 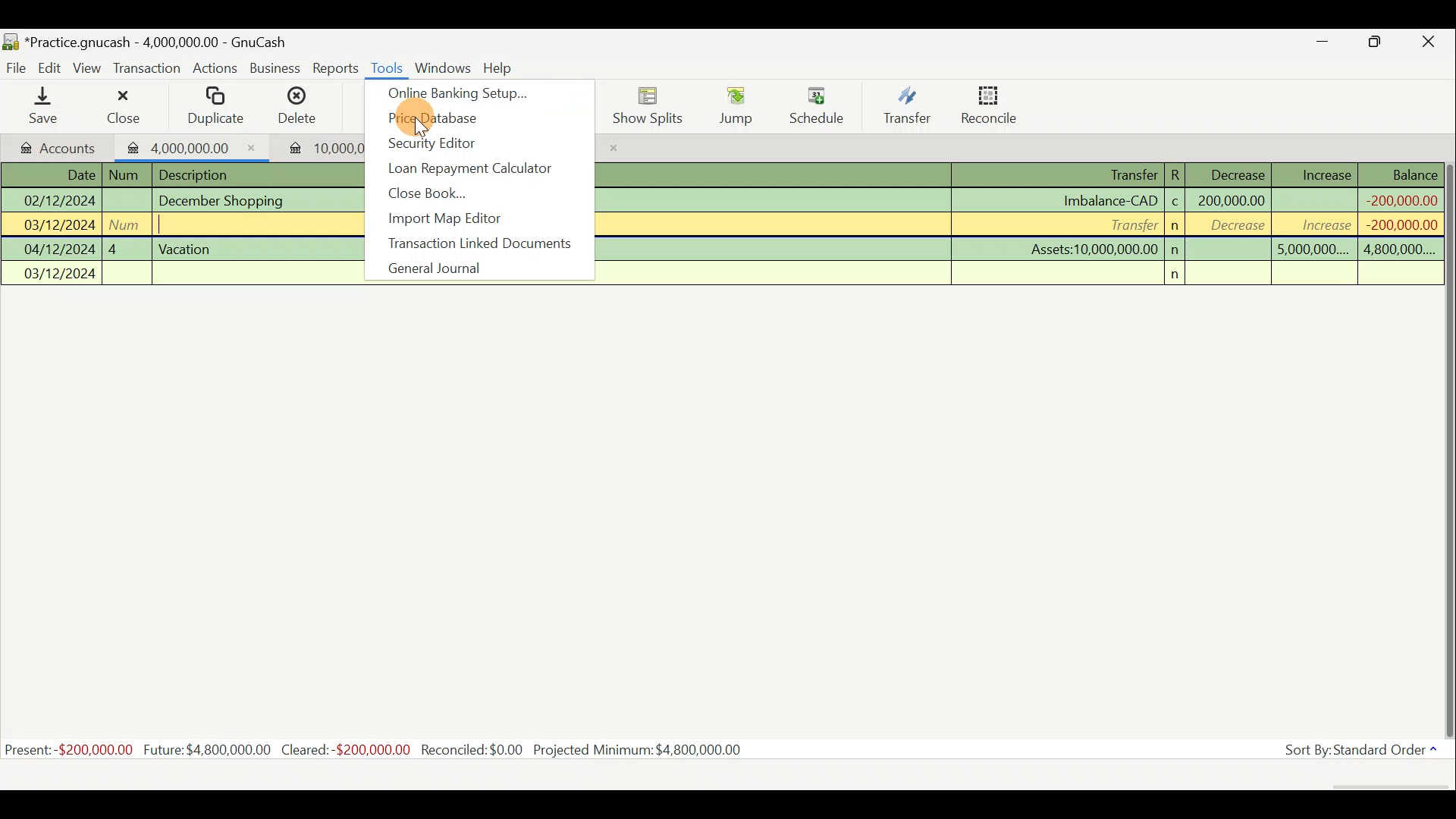 What do you see at coordinates (126, 247) in the screenshot?
I see `4` at bounding box center [126, 247].